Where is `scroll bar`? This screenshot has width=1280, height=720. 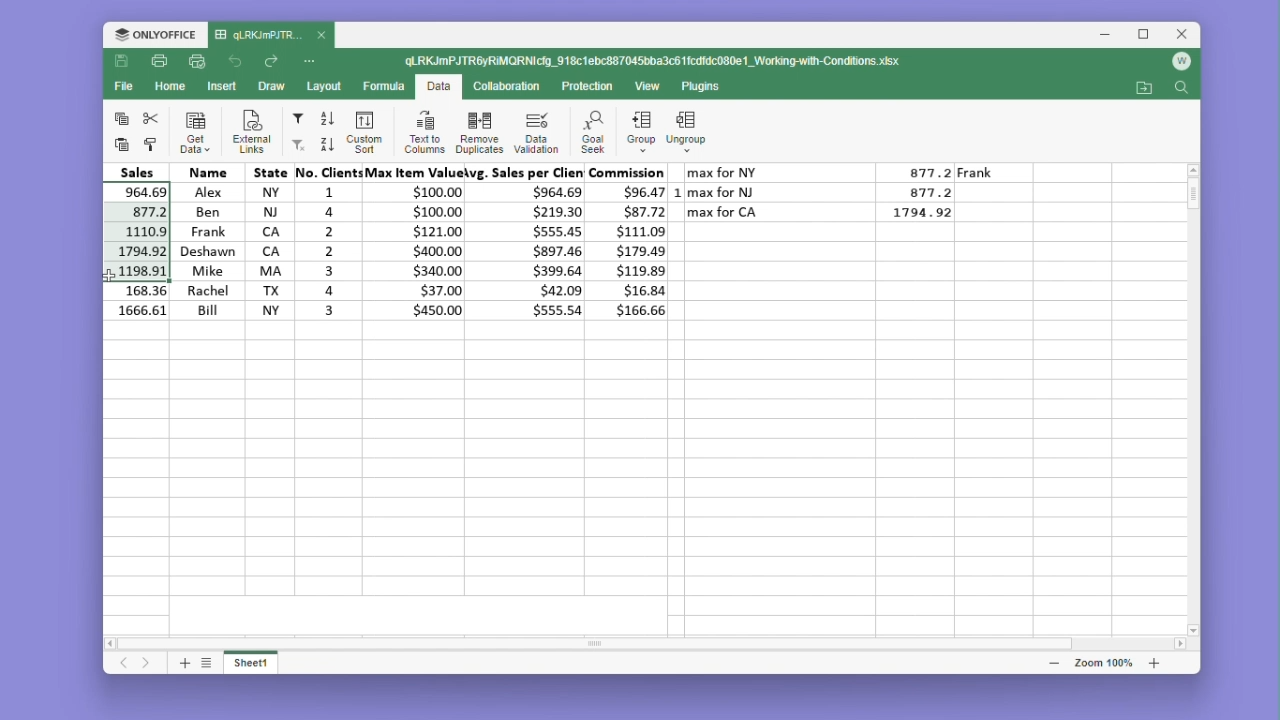
scroll bar is located at coordinates (616, 643).